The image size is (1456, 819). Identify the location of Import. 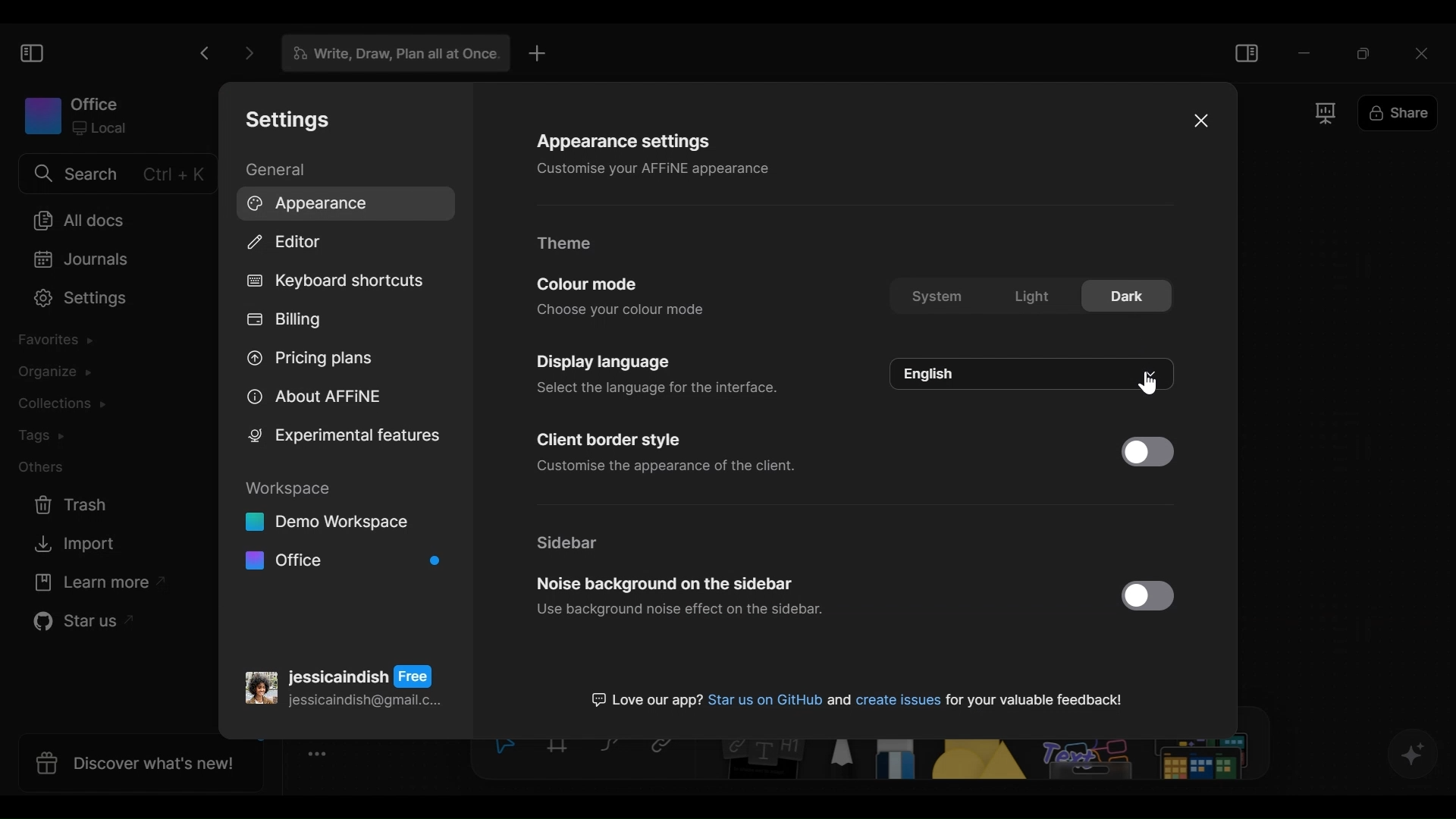
(77, 544).